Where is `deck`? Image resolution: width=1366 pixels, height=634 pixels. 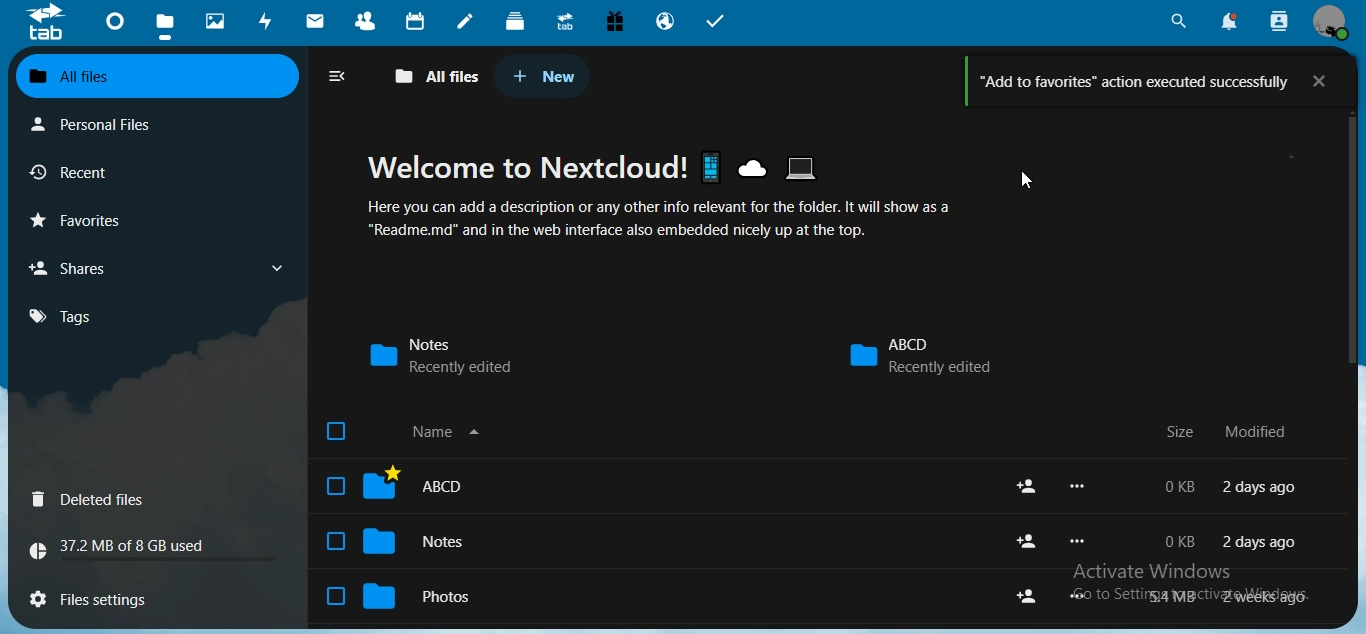
deck is located at coordinates (517, 20).